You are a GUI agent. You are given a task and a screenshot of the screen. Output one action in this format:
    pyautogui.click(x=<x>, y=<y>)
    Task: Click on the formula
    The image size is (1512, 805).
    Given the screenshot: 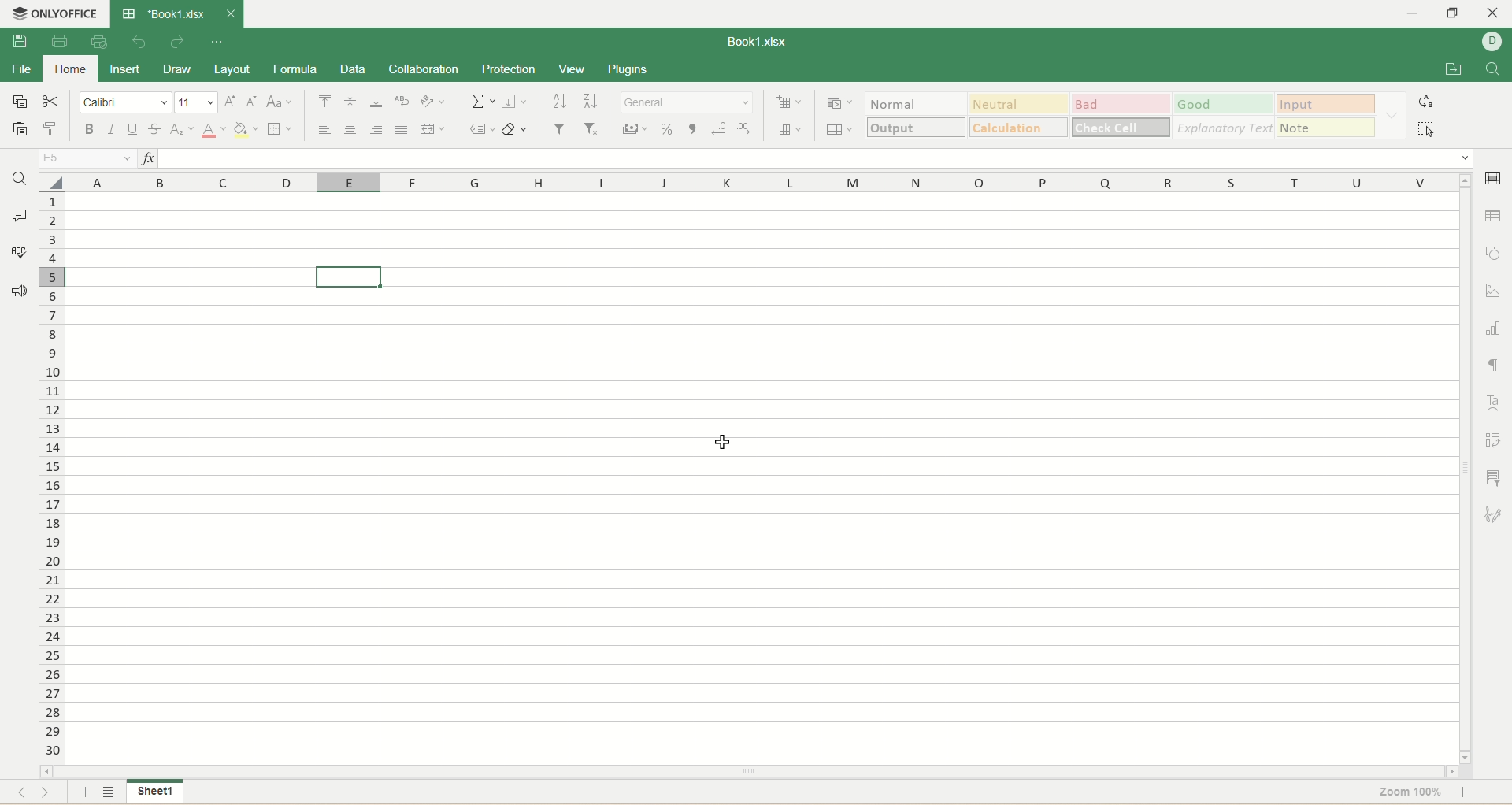 What is the action you would take?
    pyautogui.click(x=296, y=69)
    